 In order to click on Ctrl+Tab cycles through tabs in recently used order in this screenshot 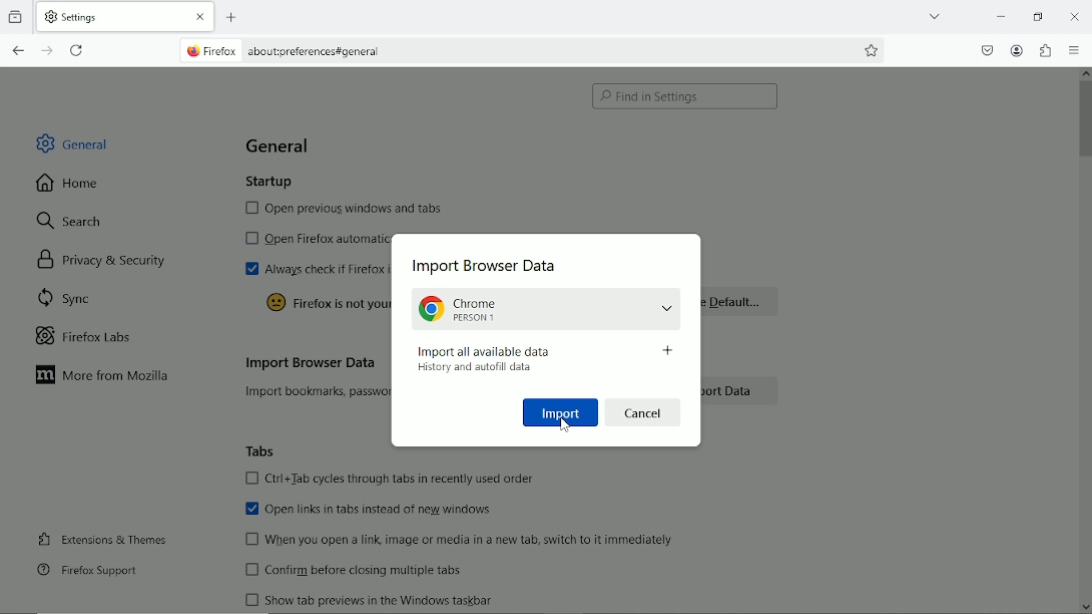, I will do `click(389, 478)`.